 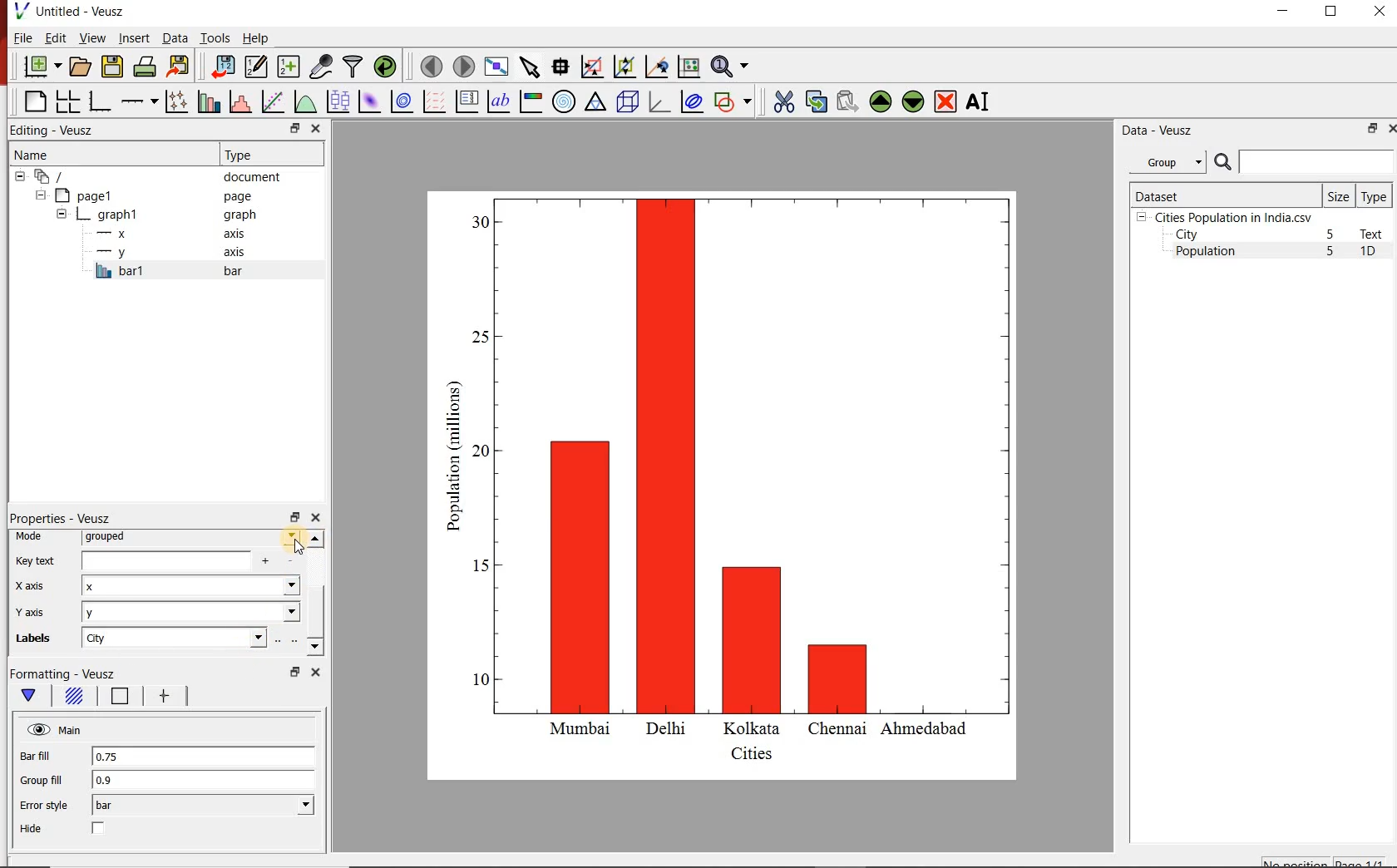 I want to click on bar1, so click(x=186, y=271).